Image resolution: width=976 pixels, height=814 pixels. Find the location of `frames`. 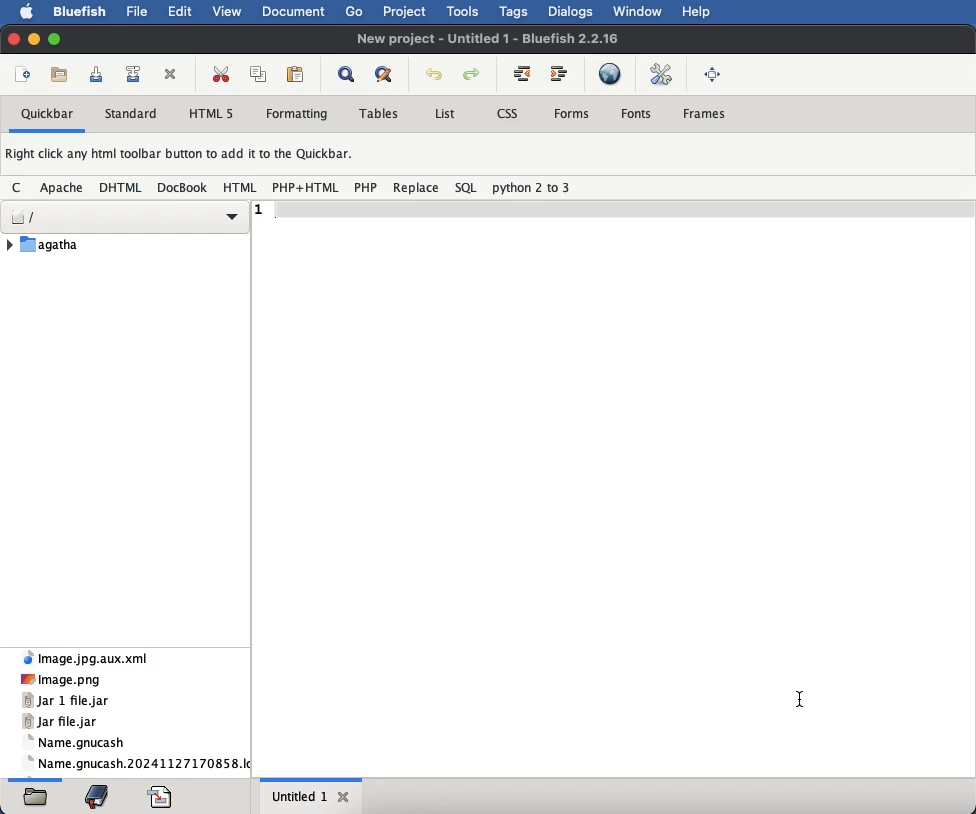

frames is located at coordinates (705, 112).